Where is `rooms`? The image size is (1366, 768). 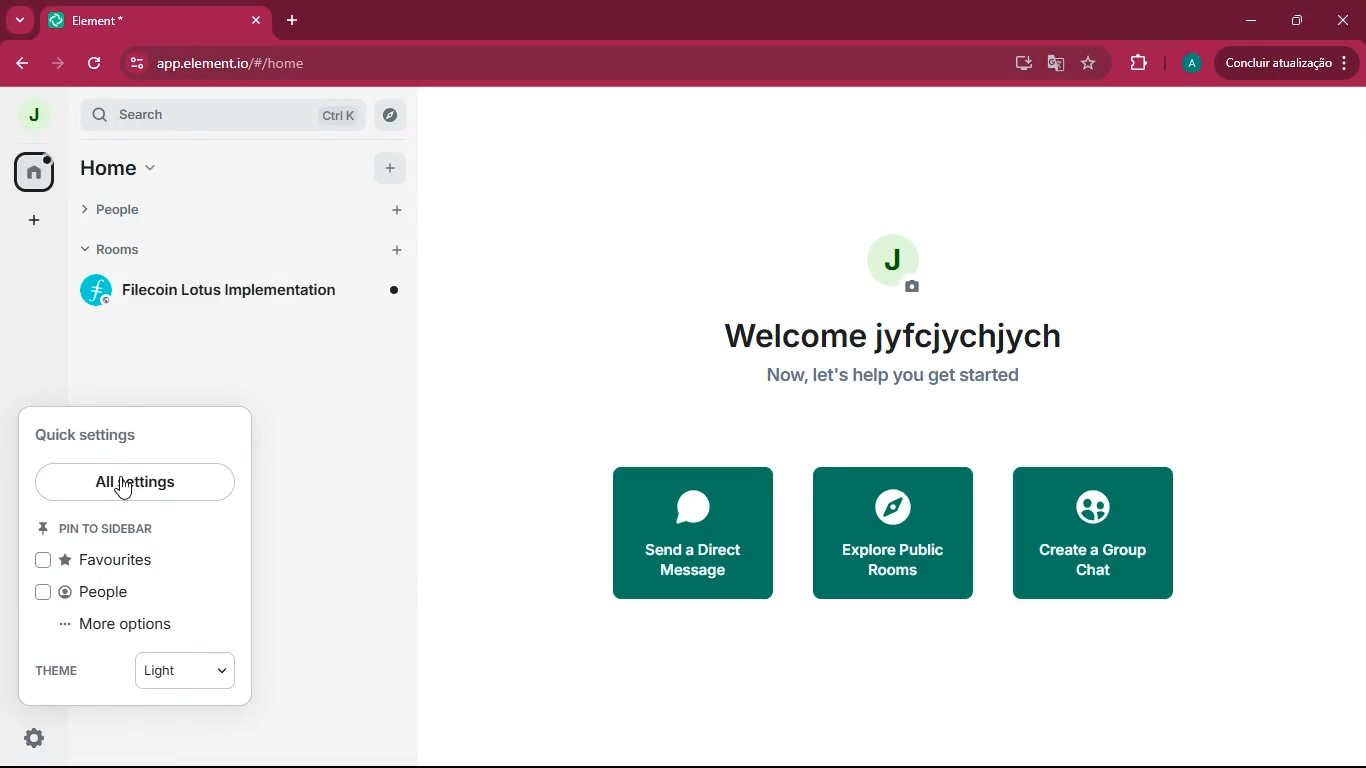
rooms is located at coordinates (217, 250).